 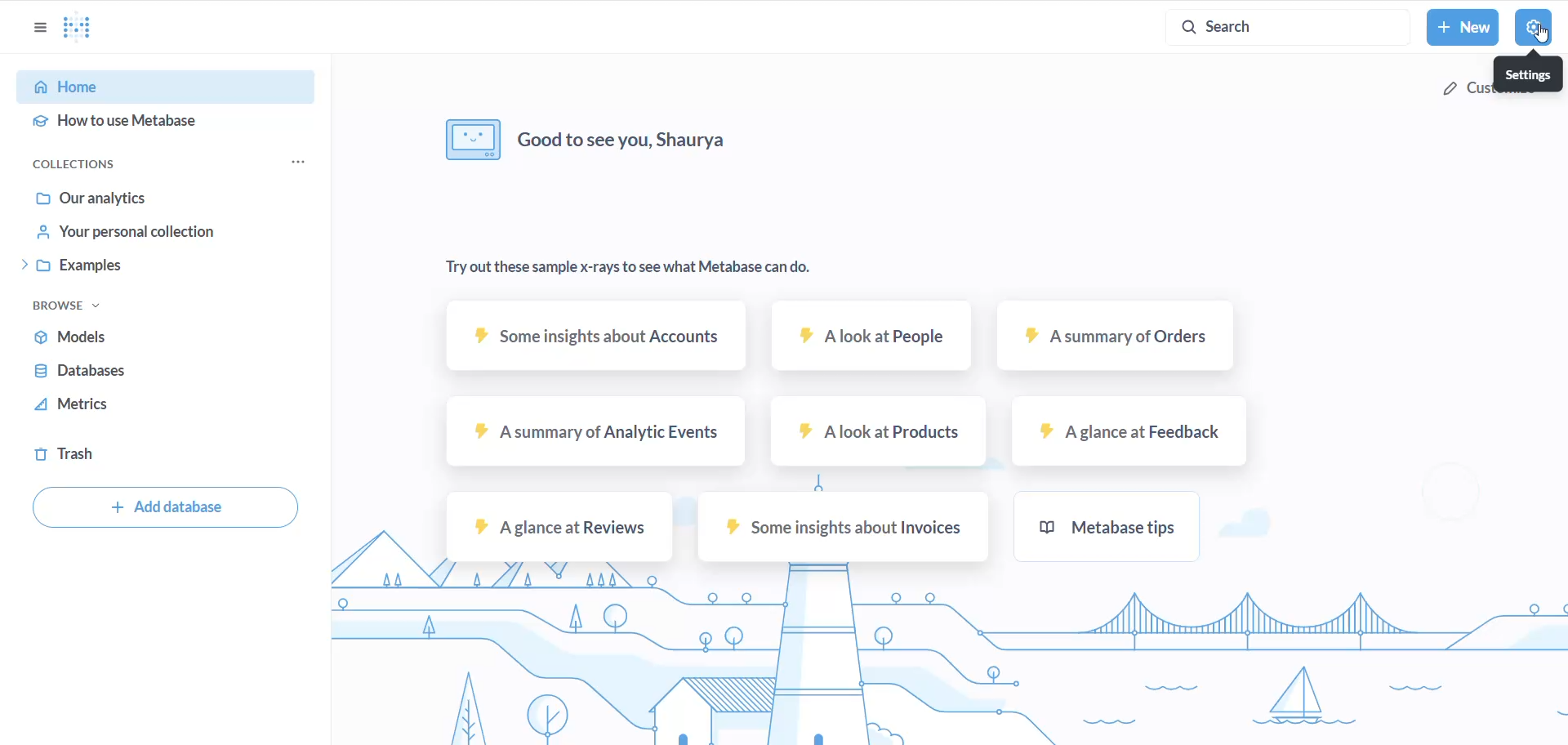 I want to click on metabase tips sample, so click(x=1110, y=527).